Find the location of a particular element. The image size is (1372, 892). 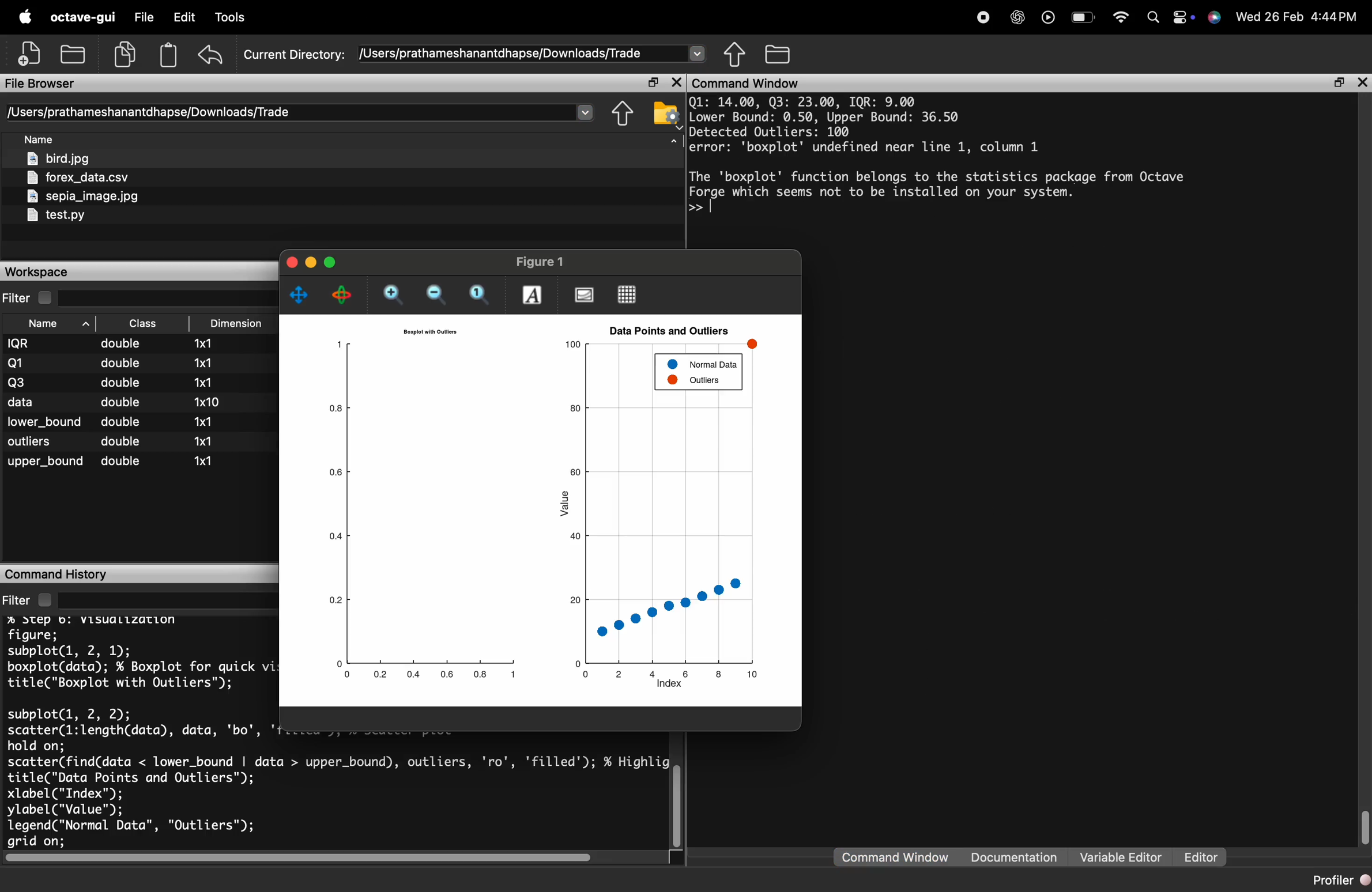

sepia_image.jpg is located at coordinates (84, 196).